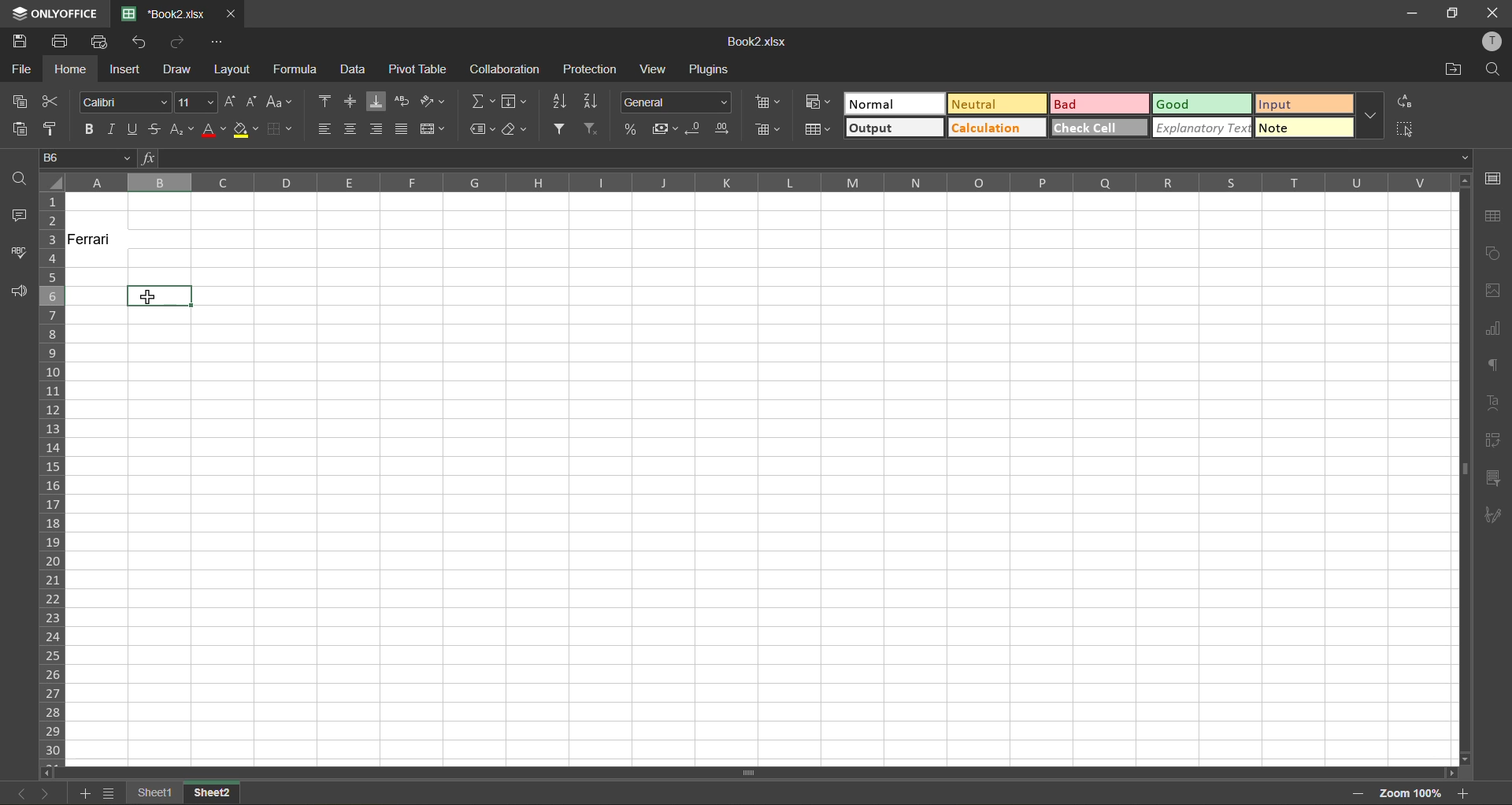  Describe the element at coordinates (20, 39) in the screenshot. I see `save` at that location.